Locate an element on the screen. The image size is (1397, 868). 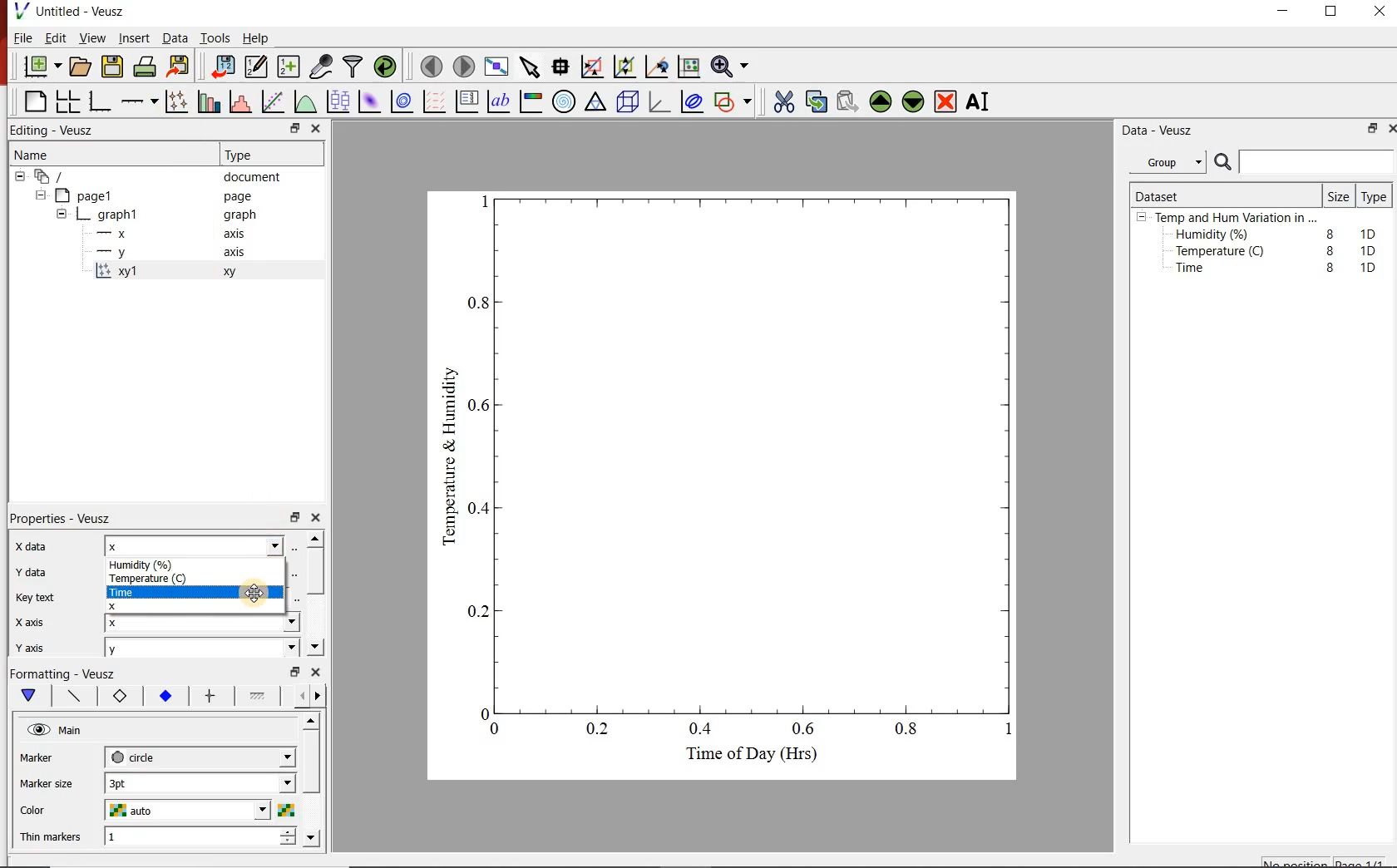
hide sub menu is located at coordinates (43, 197).